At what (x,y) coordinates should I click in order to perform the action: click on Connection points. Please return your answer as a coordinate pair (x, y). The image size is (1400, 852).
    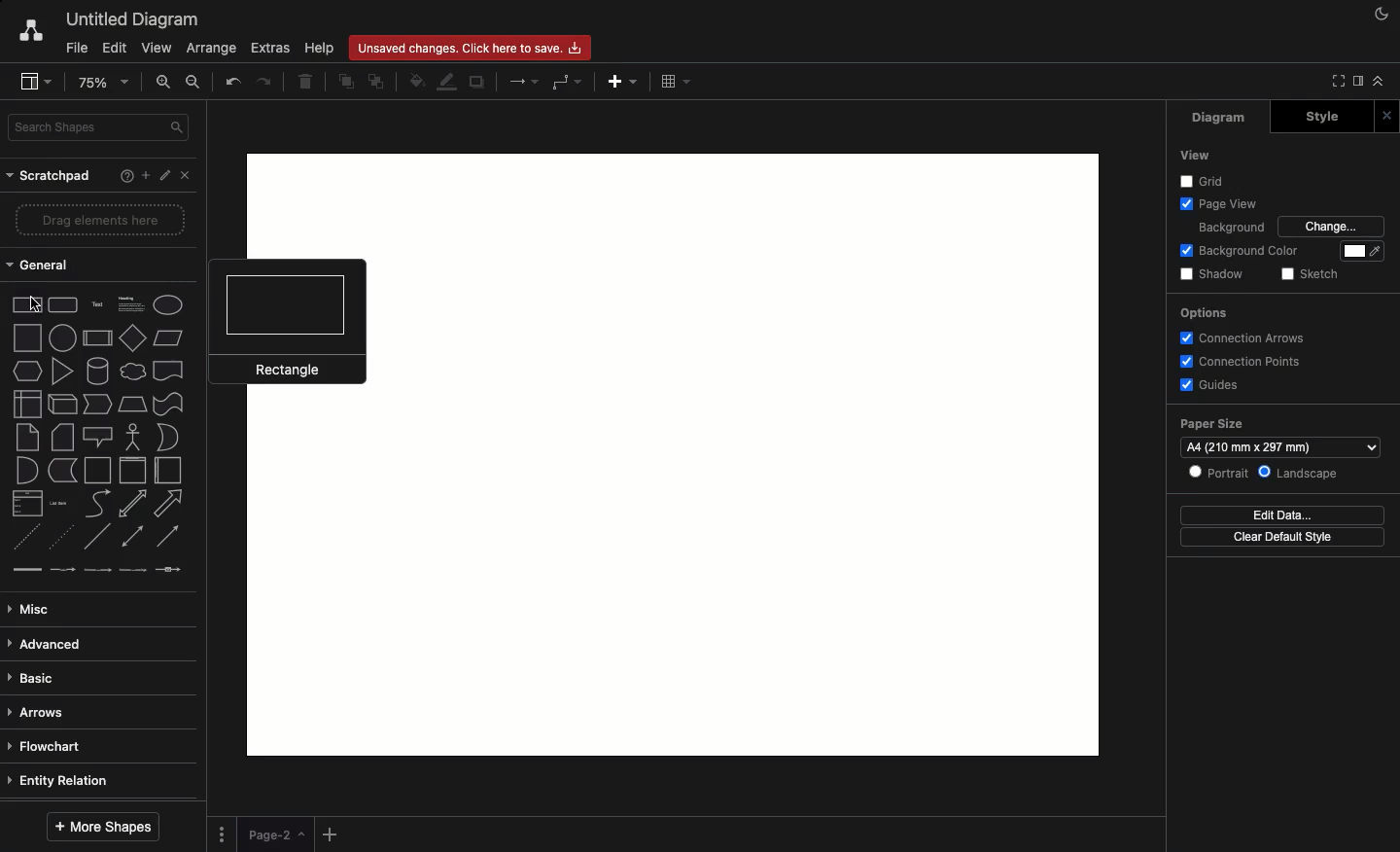
    Looking at the image, I should click on (1242, 361).